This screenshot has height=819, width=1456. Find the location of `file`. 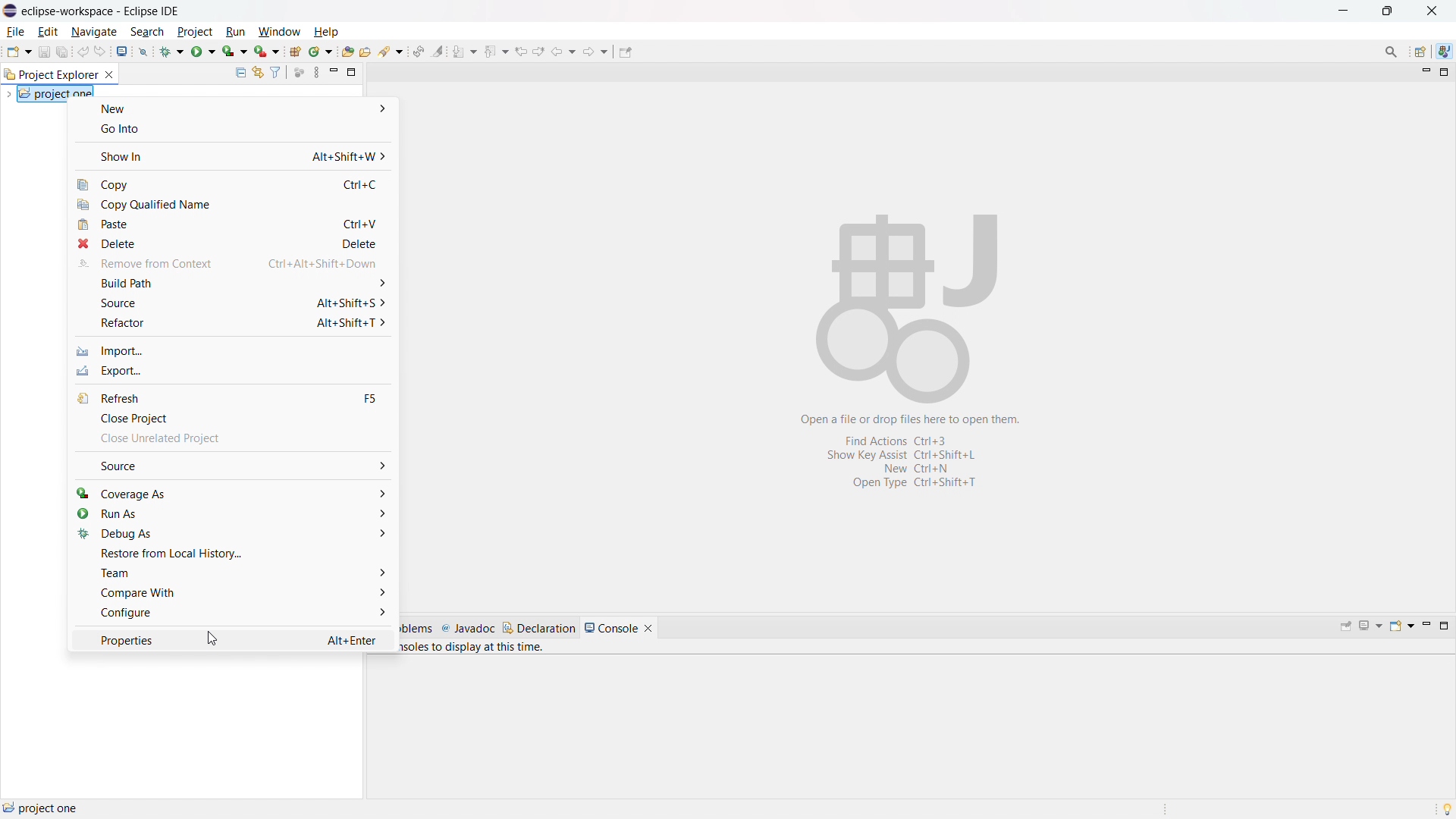

file is located at coordinates (16, 32).